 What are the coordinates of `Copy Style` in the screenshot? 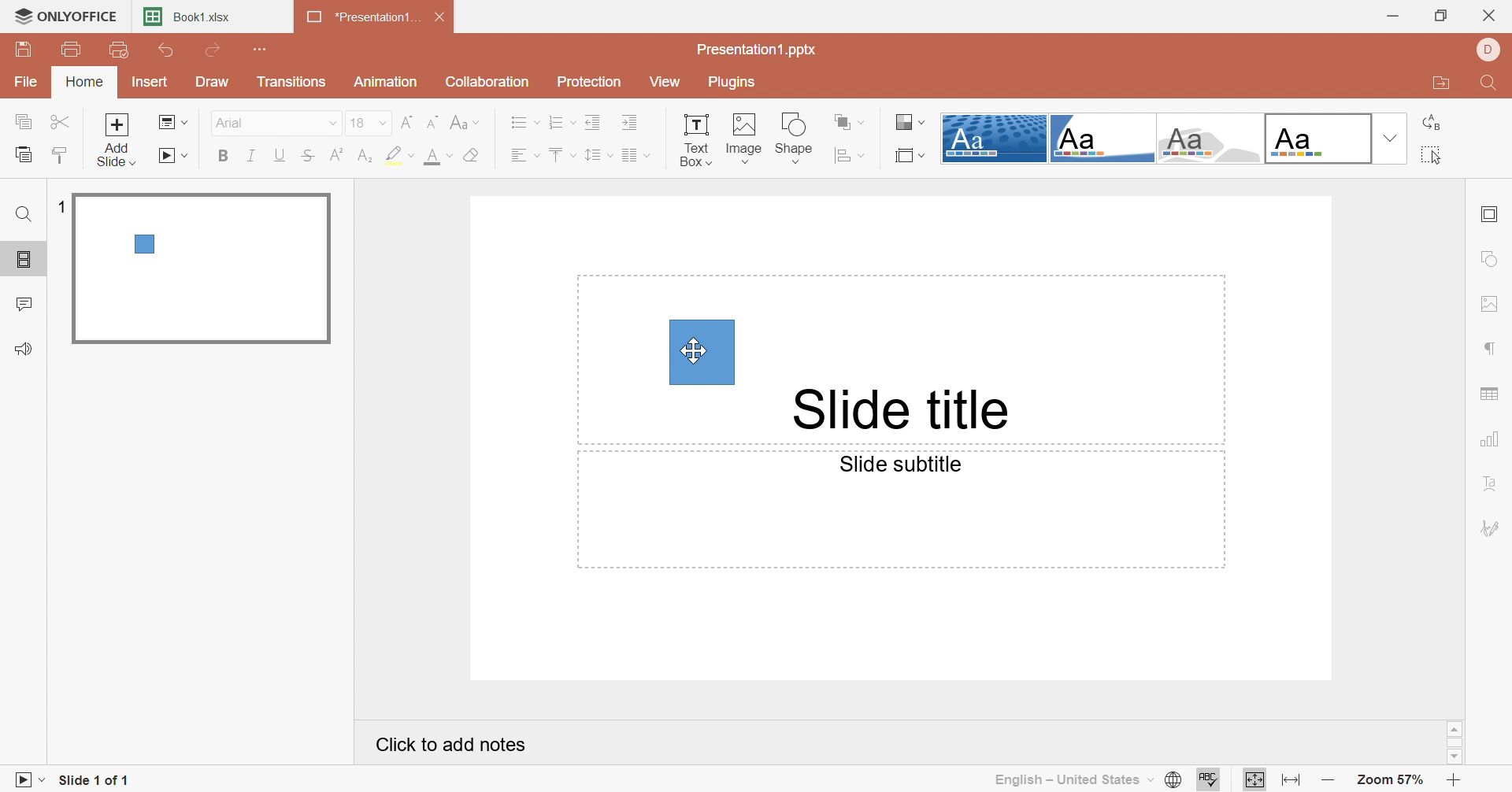 It's located at (60, 154).